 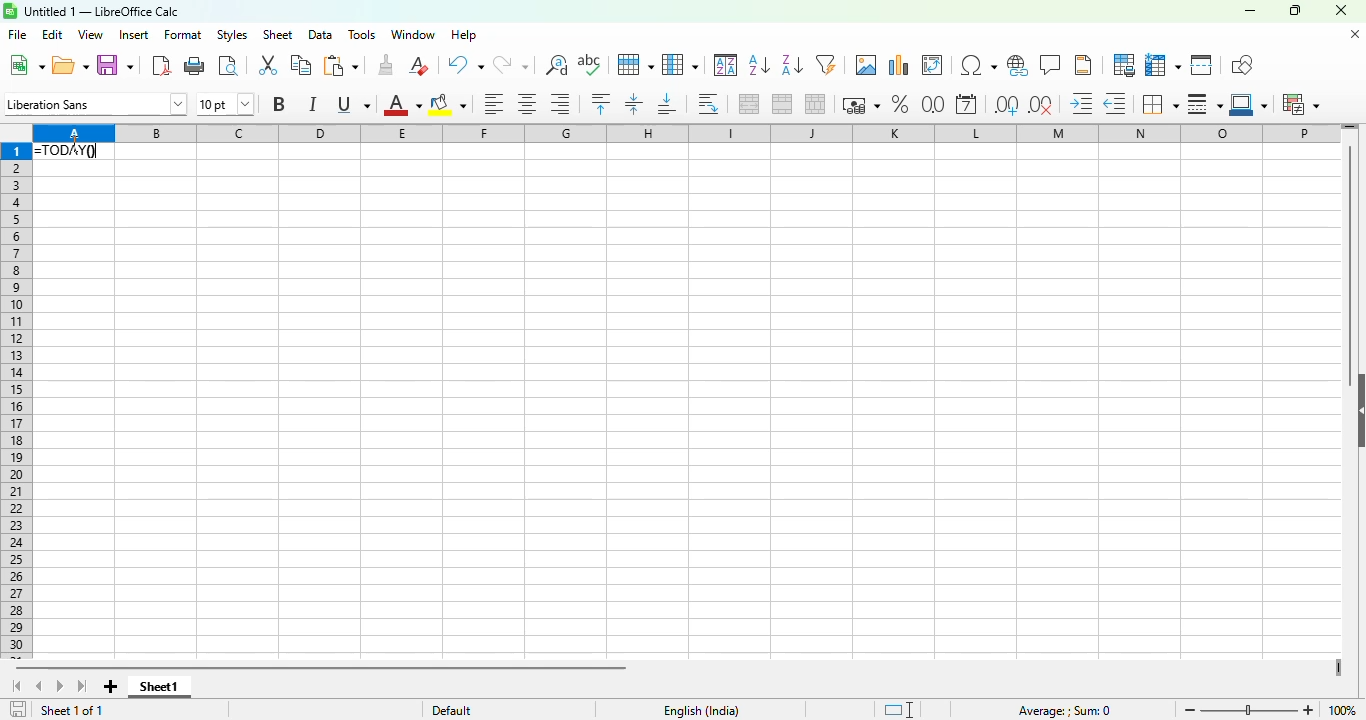 What do you see at coordinates (1083, 65) in the screenshot?
I see `headers and footers` at bounding box center [1083, 65].